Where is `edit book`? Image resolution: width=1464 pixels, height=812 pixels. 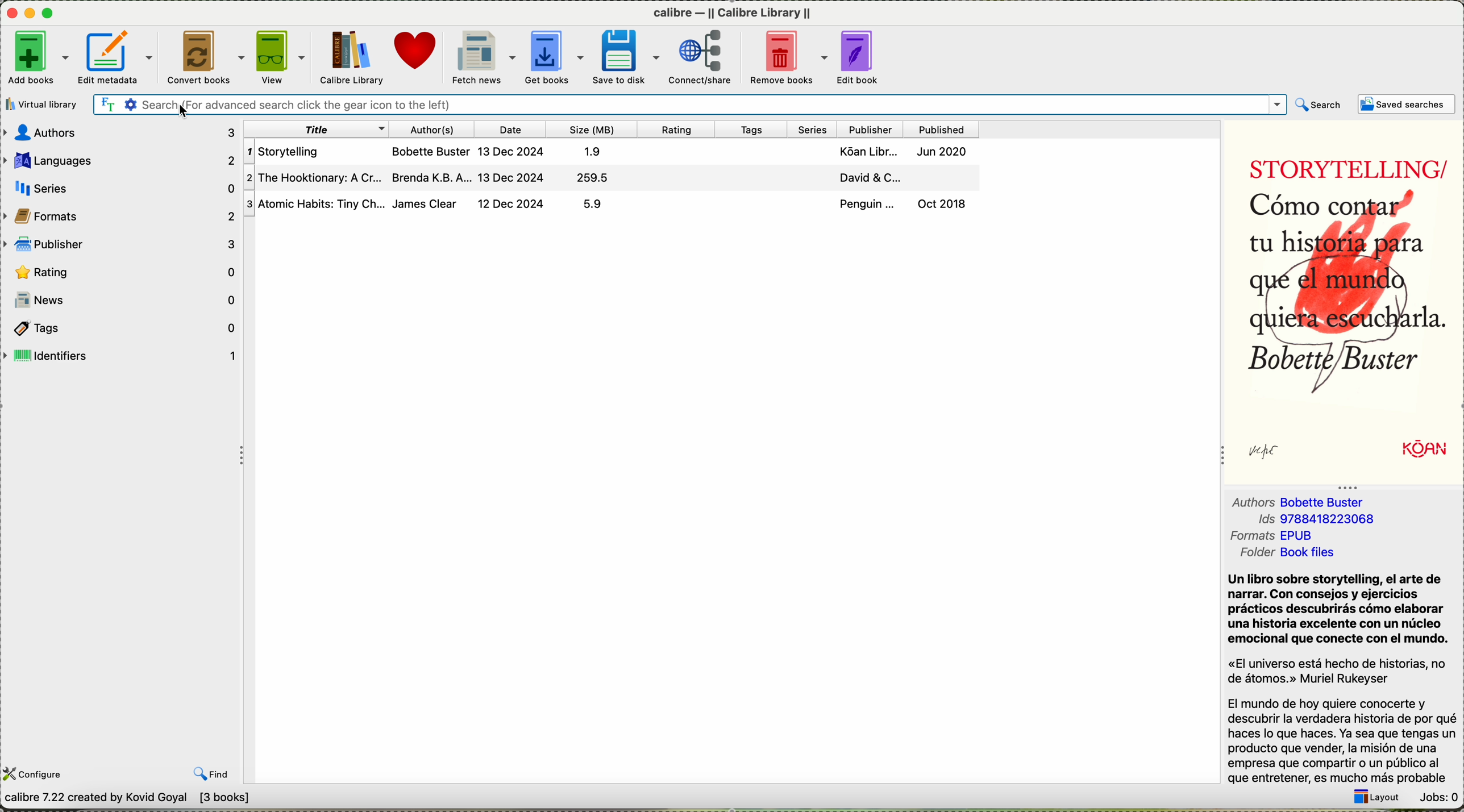
edit book is located at coordinates (859, 55).